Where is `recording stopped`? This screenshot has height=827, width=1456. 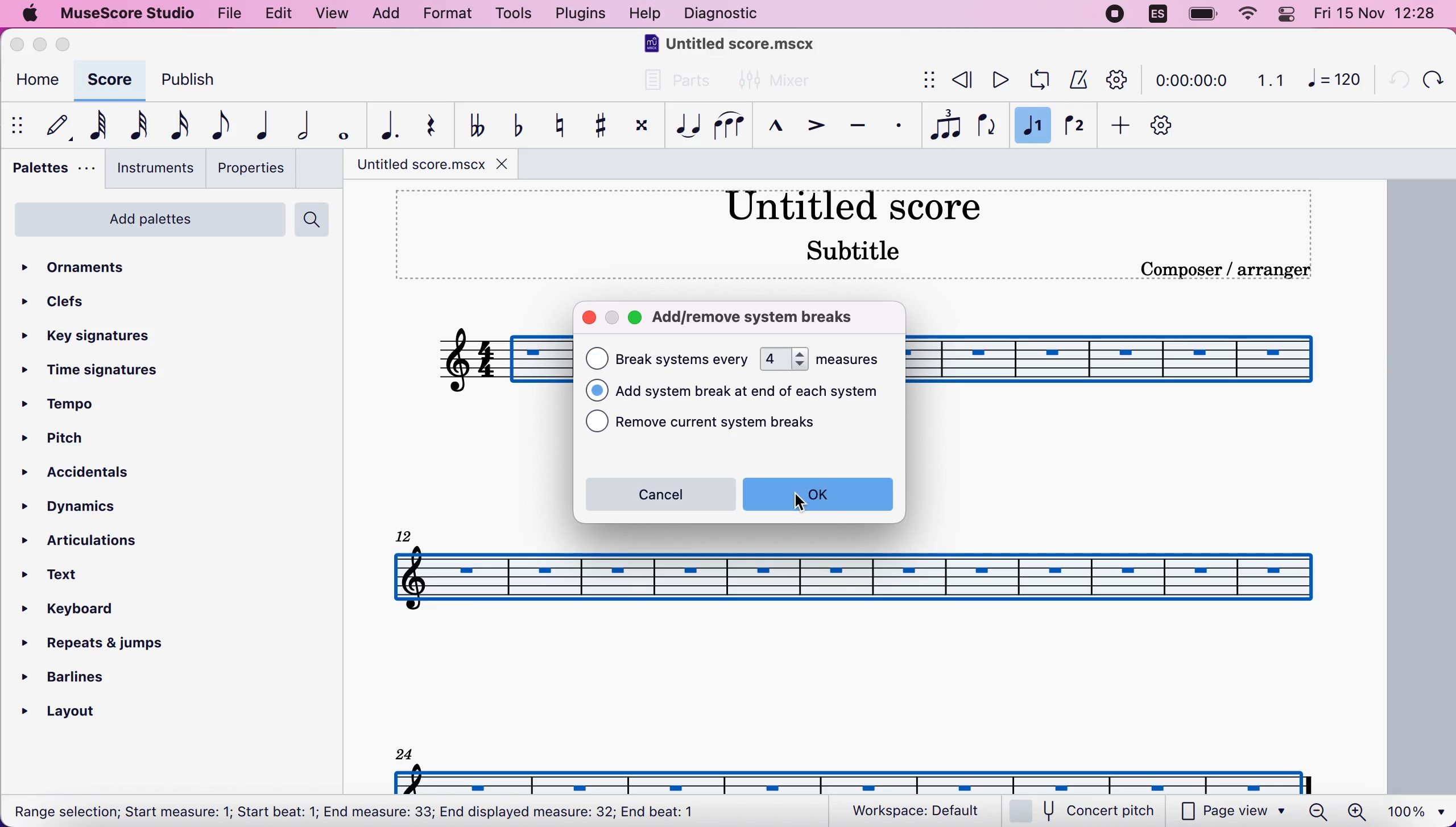 recording stopped is located at coordinates (1116, 15).